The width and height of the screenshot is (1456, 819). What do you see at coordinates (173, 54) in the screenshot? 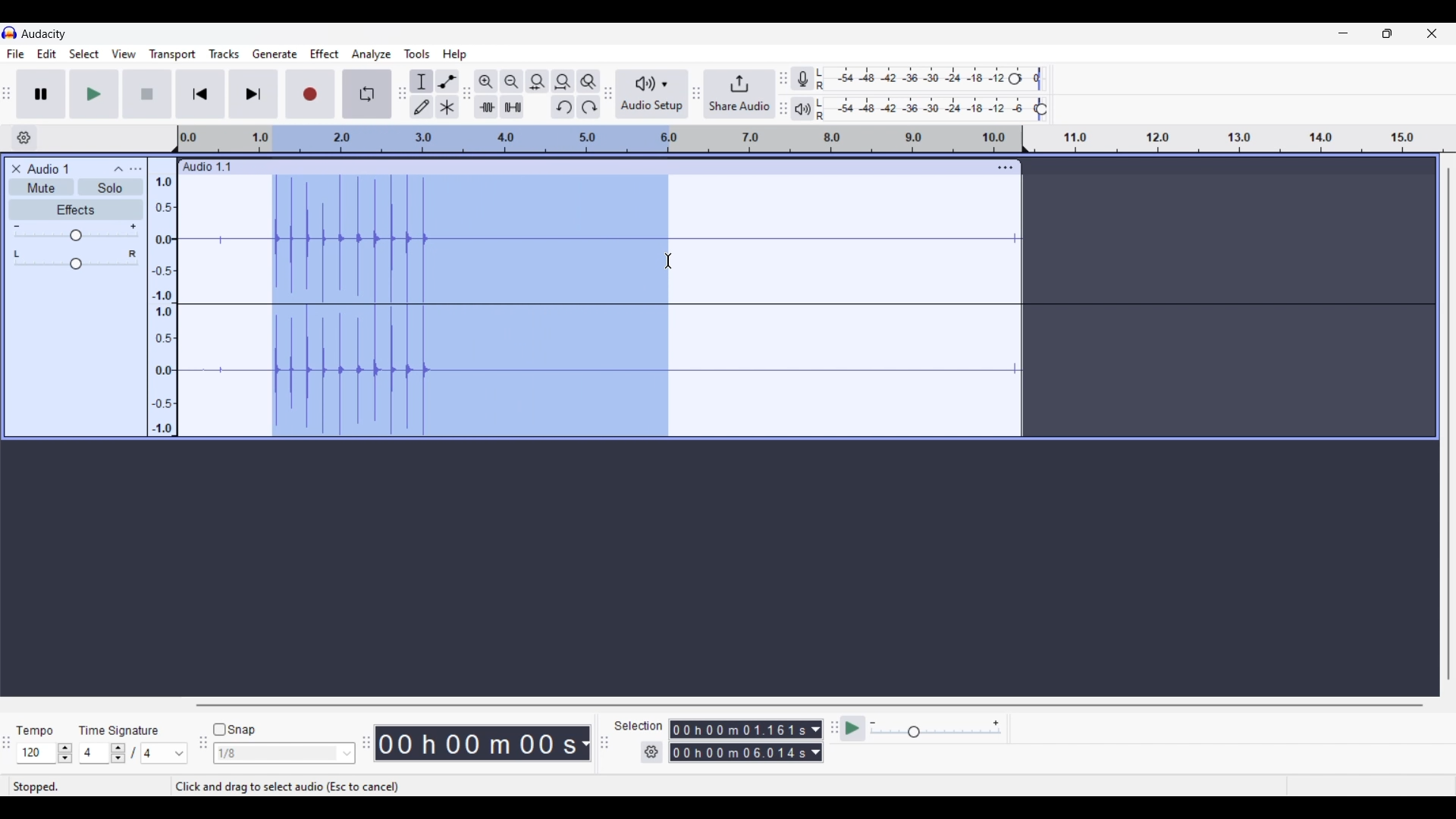
I see `Transport menu` at bounding box center [173, 54].